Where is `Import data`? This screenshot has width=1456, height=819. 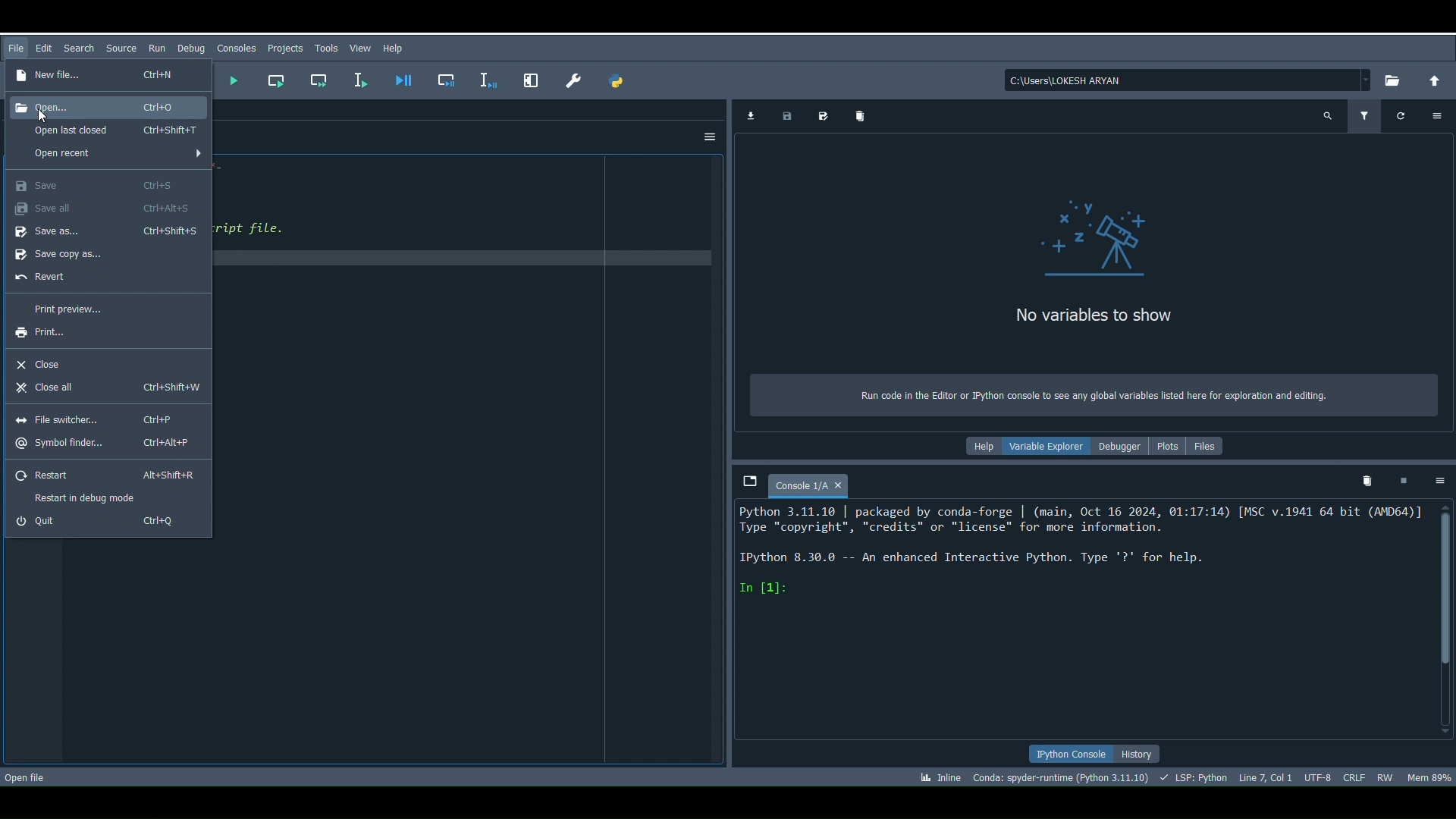
Import data is located at coordinates (749, 117).